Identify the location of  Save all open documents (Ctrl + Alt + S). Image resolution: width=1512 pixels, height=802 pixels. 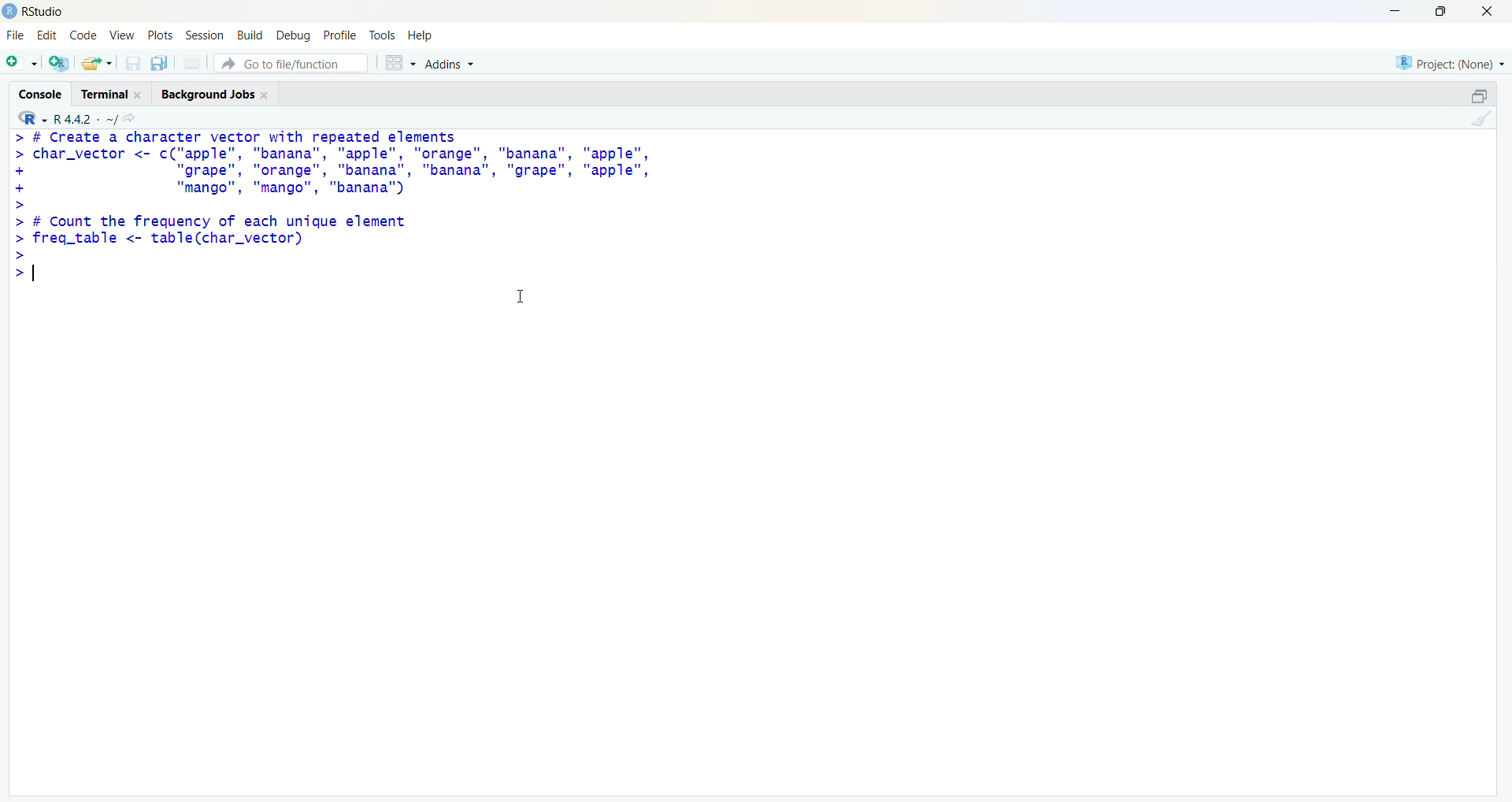
(160, 62).